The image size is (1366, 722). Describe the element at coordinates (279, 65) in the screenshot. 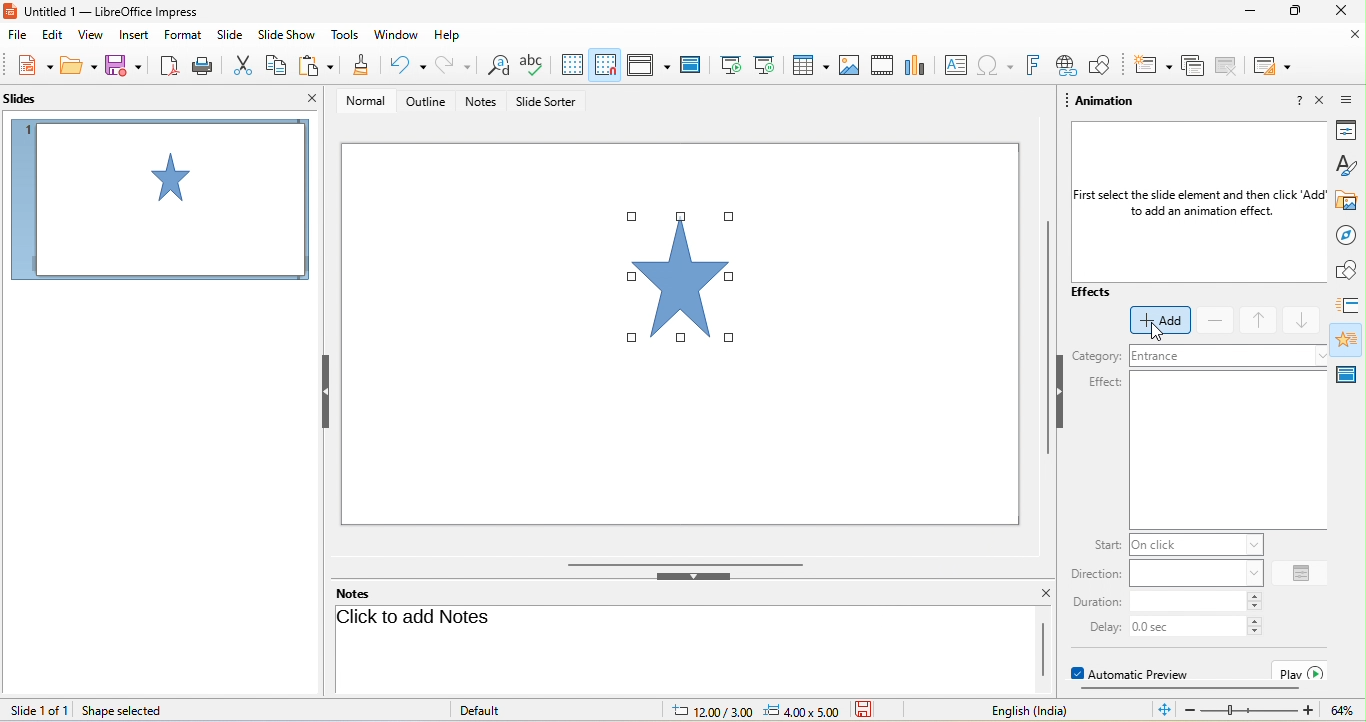

I see `copy` at that location.